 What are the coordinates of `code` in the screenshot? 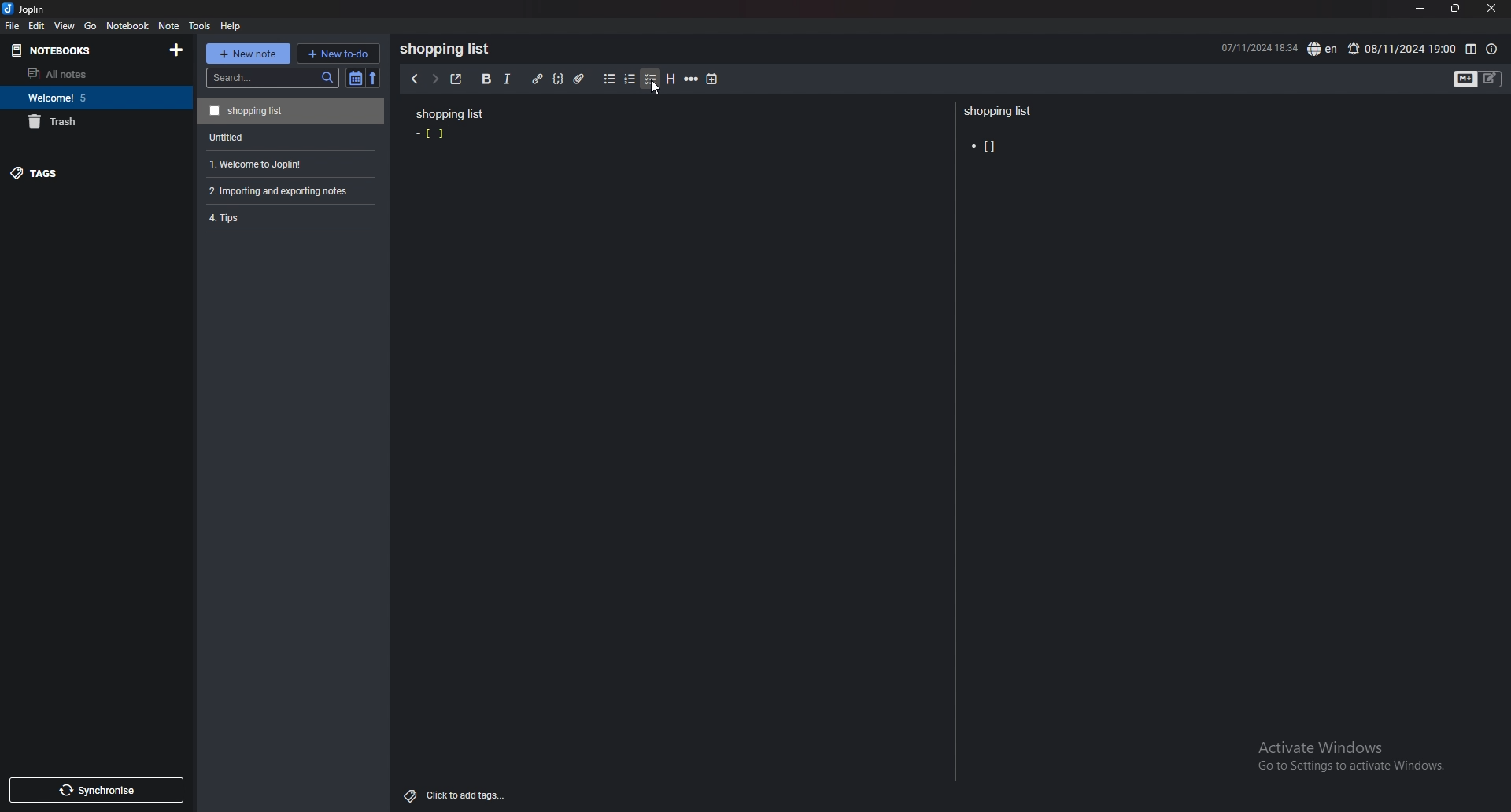 It's located at (558, 79).